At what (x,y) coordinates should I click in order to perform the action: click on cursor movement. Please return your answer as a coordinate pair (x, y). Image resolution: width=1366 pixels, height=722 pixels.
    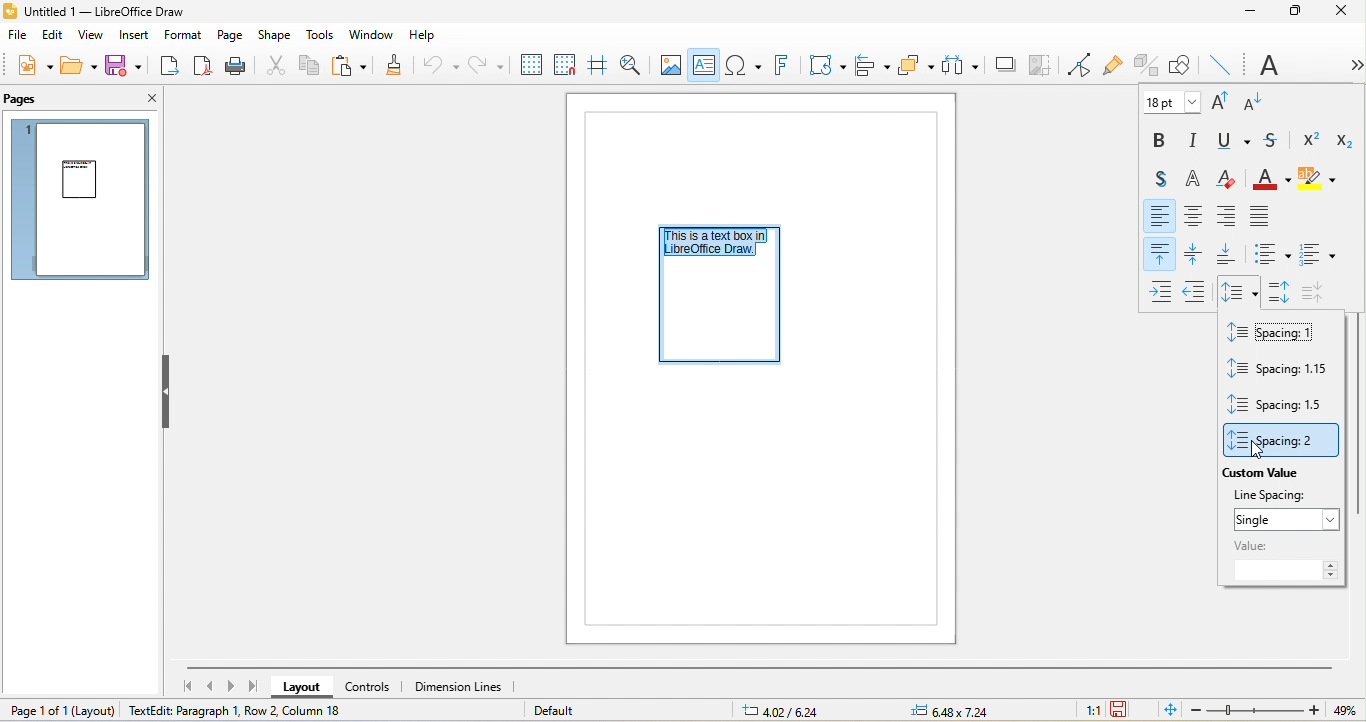
    Looking at the image, I should click on (1267, 452).